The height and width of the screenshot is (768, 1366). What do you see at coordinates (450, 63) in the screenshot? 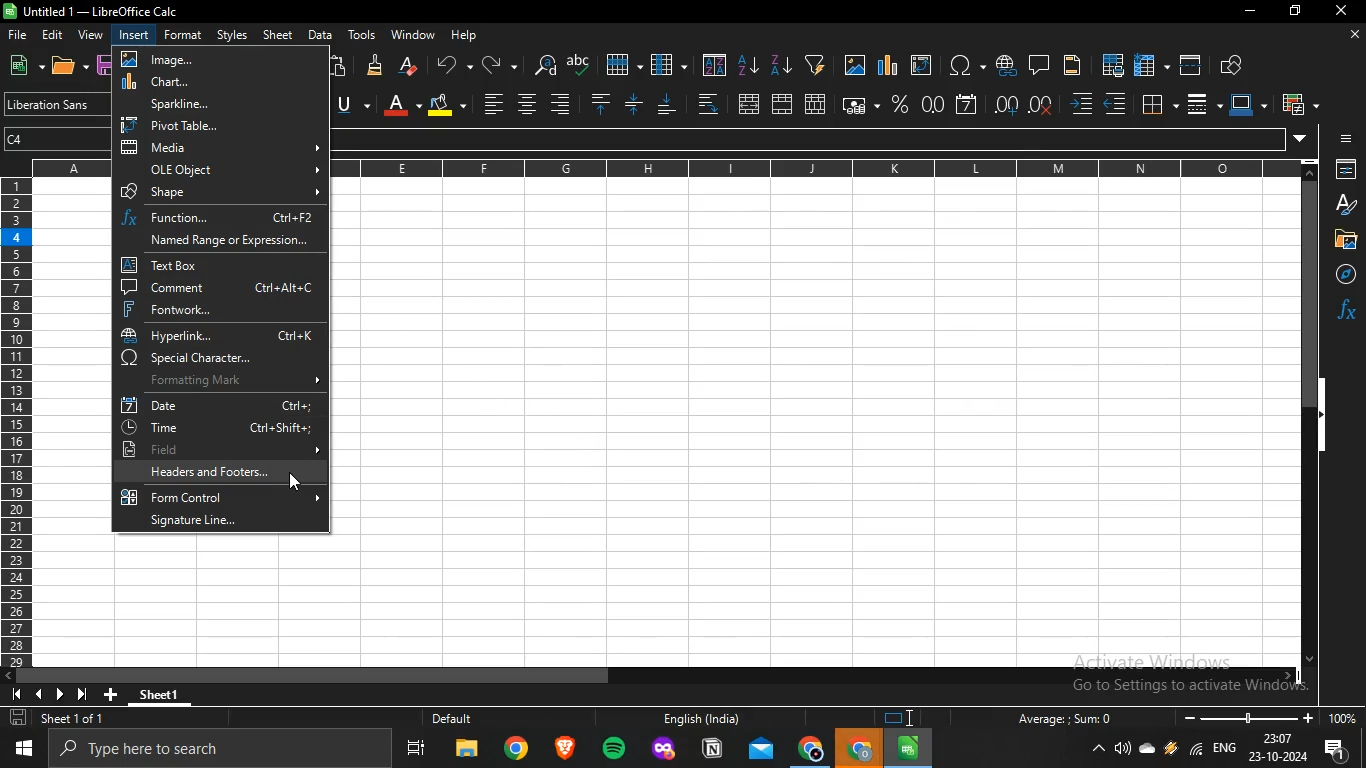
I see `undo` at bounding box center [450, 63].